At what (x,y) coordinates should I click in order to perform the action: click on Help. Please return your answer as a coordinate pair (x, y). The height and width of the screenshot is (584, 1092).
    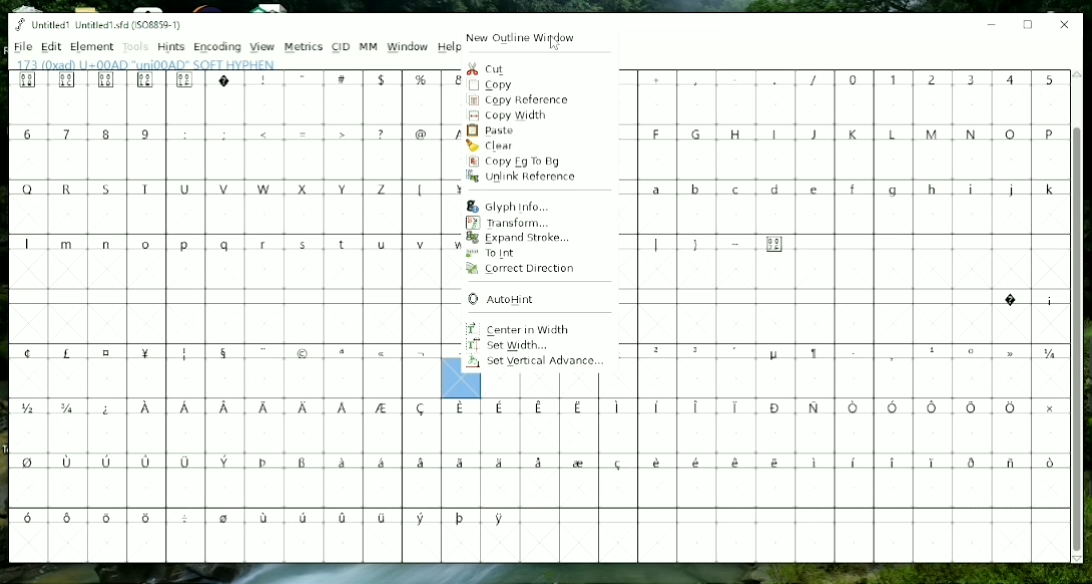
    Looking at the image, I should click on (449, 45).